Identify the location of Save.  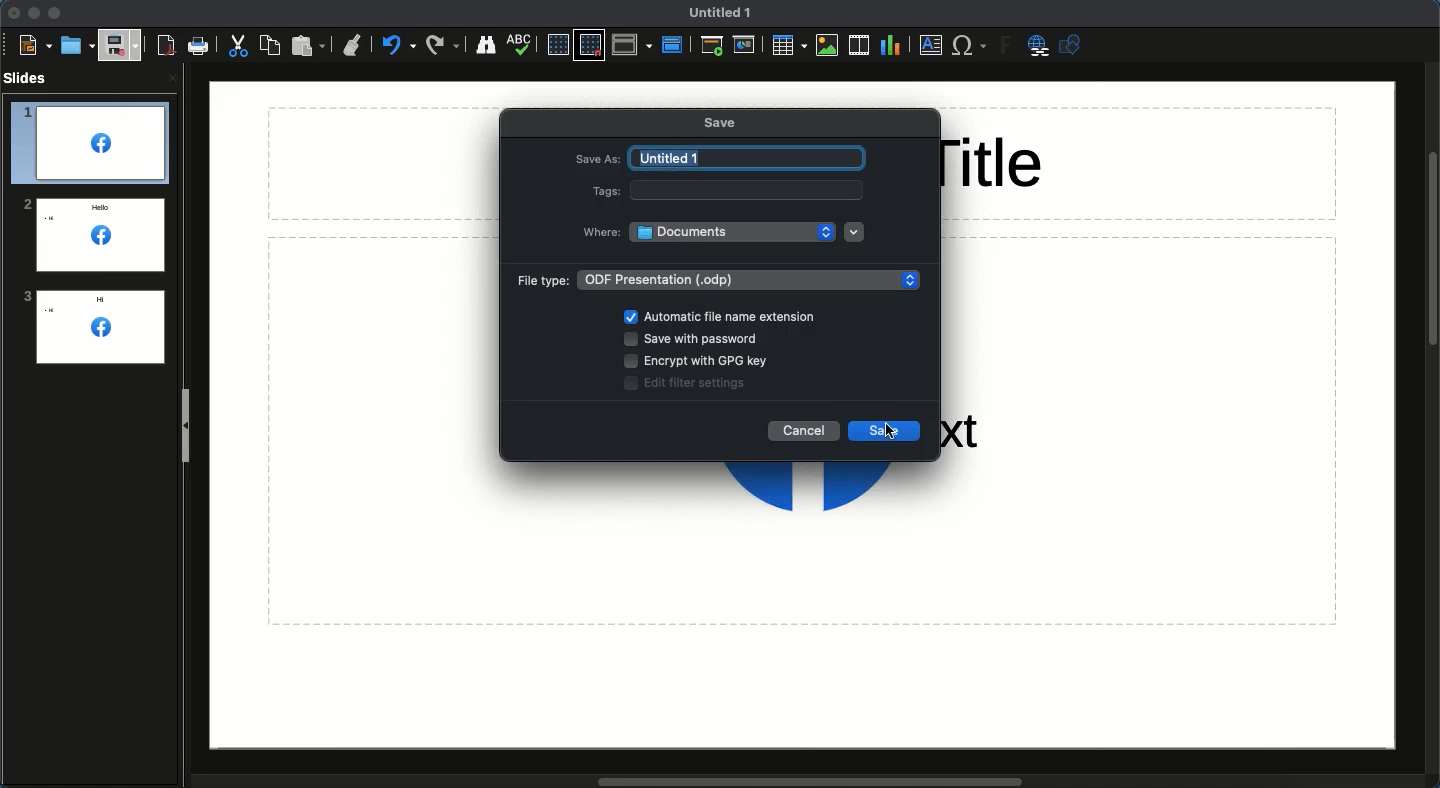
(722, 121).